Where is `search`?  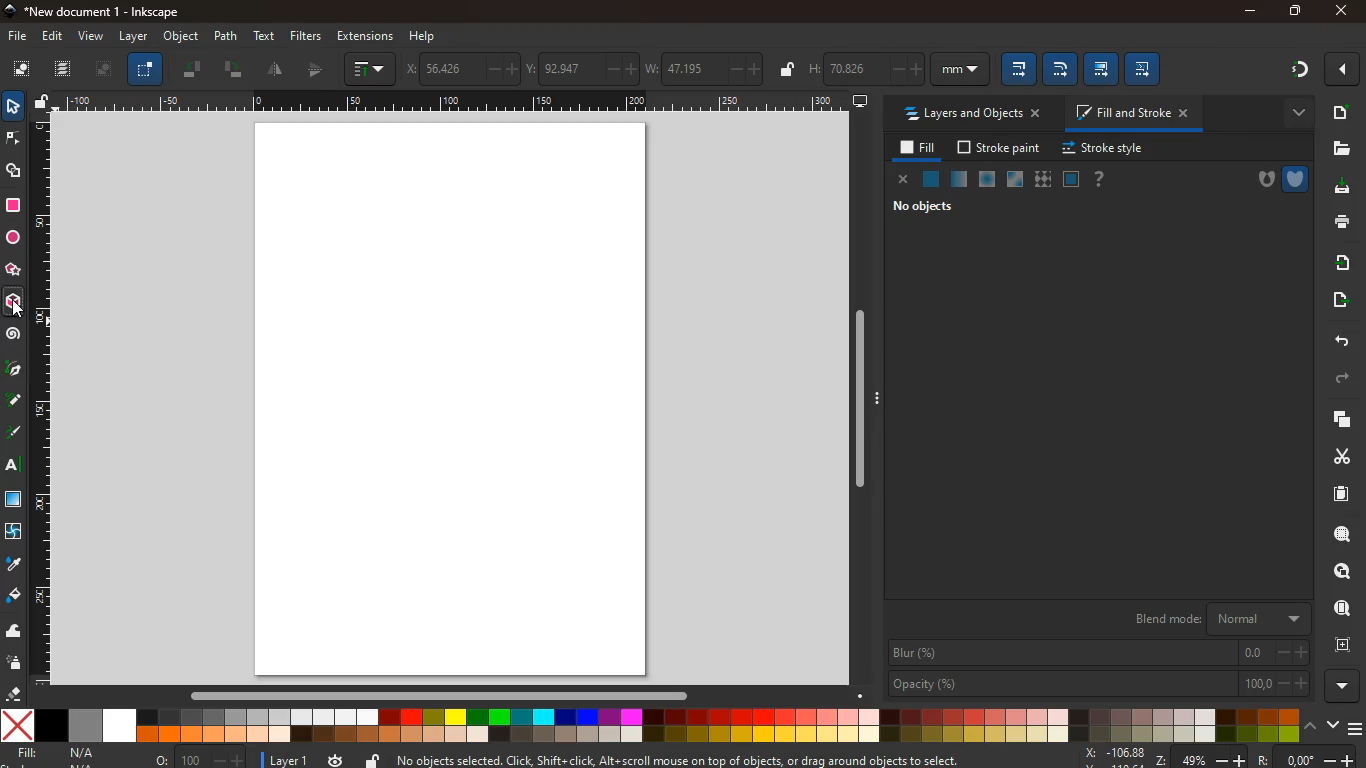
search is located at coordinates (1338, 536).